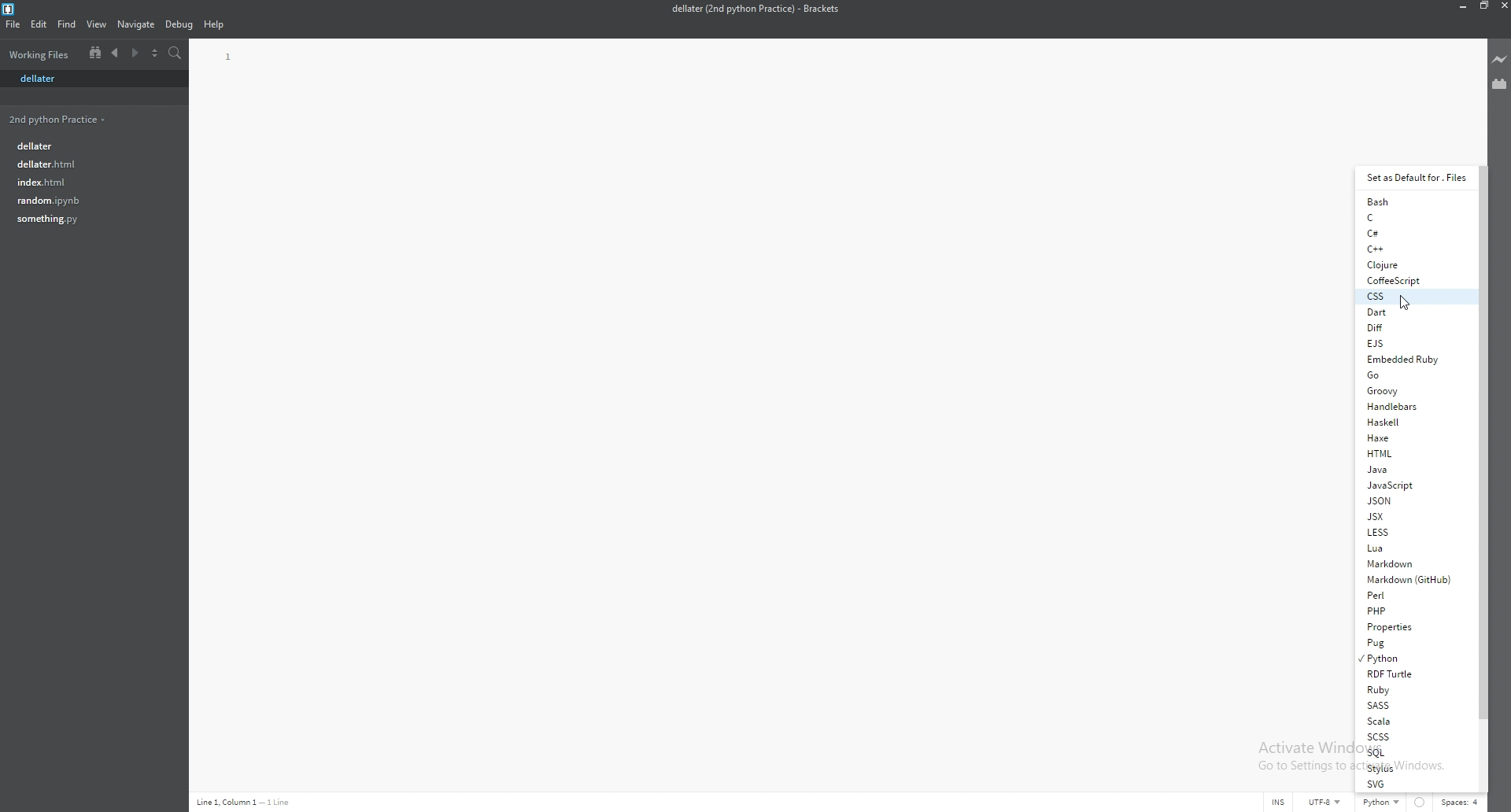 The height and width of the screenshot is (812, 1511). What do you see at coordinates (1409, 594) in the screenshot?
I see `perl` at bounding box center [1409, 594].